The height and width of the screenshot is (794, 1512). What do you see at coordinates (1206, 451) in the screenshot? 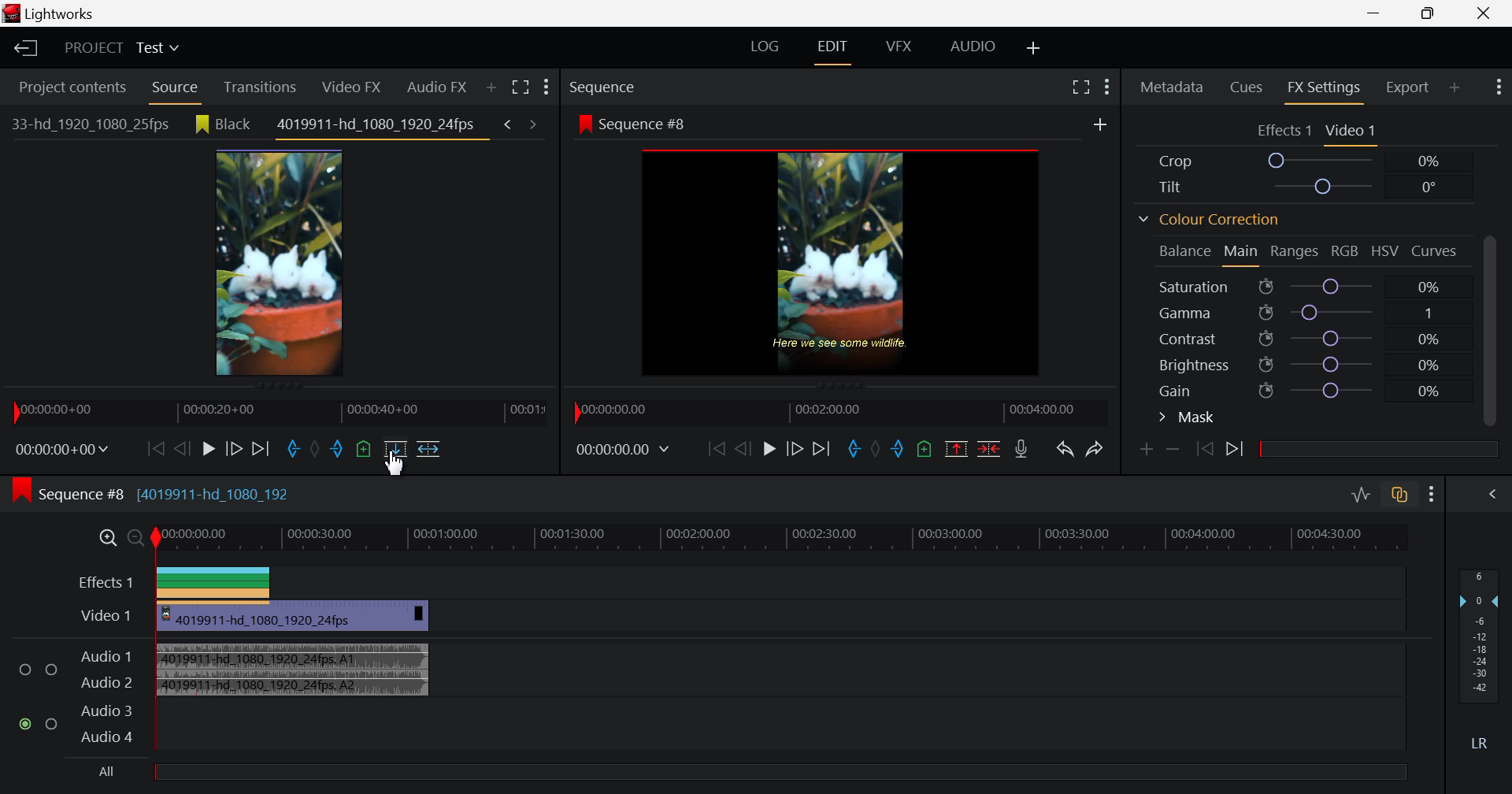
I see `Previous keyframe` at bounding box center [1206, 451].